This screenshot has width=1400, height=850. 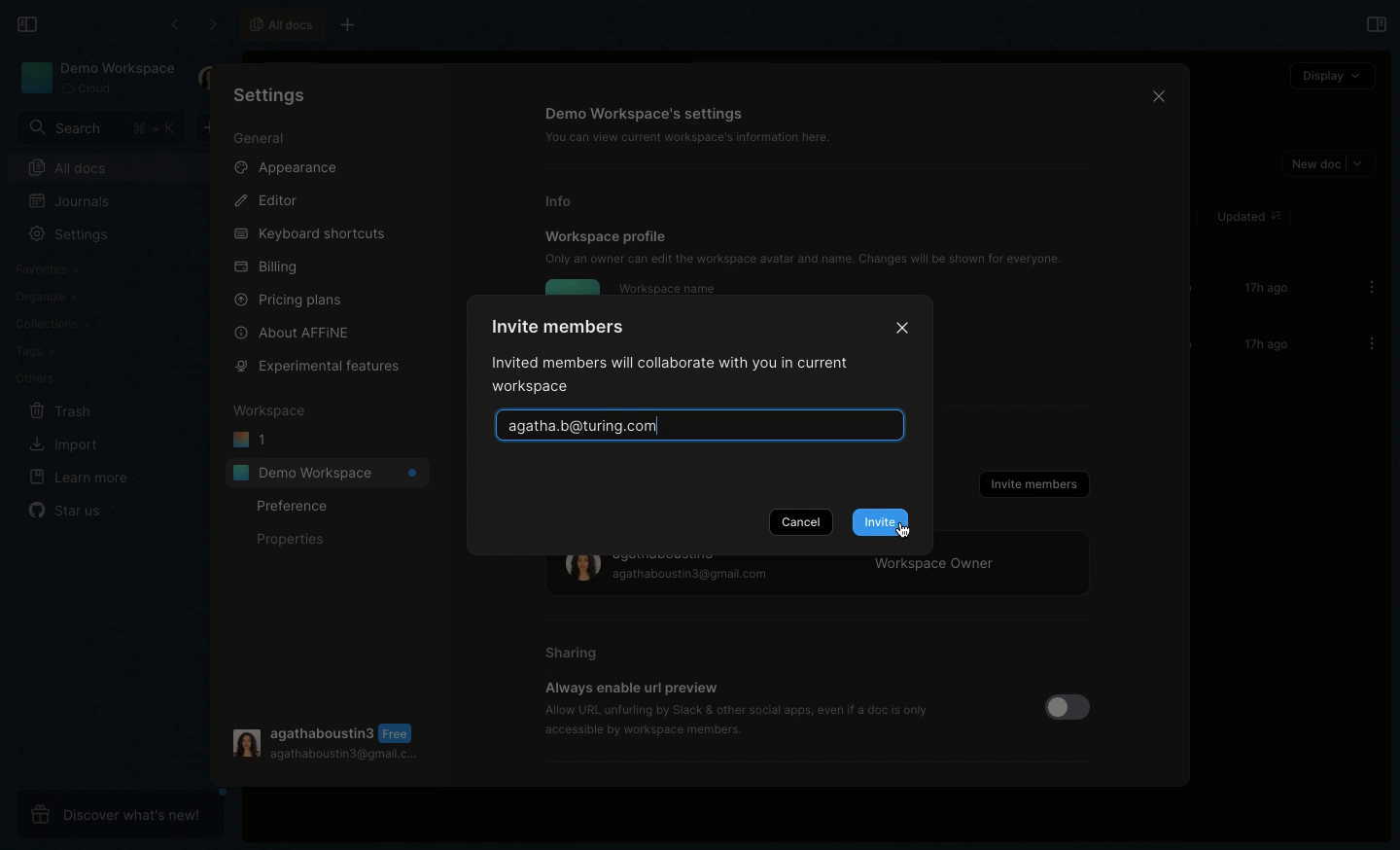 What do you see at coordinates (288, 540) in the screenshot?
I see `Properties` at bounding box center [288, 540].